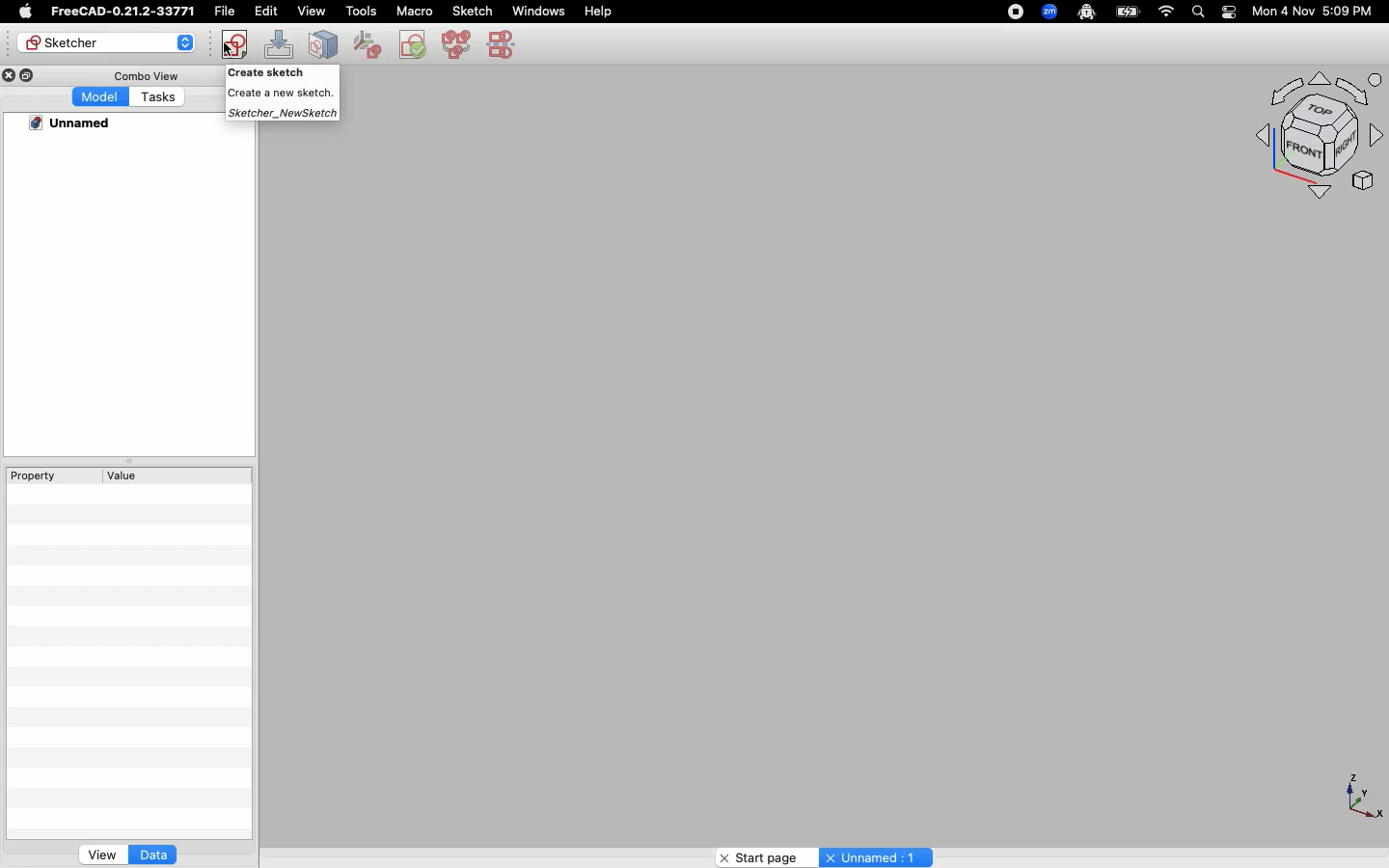  Describe the element at coordinates (312, 11) in the screenshot. I see `view` at that location.